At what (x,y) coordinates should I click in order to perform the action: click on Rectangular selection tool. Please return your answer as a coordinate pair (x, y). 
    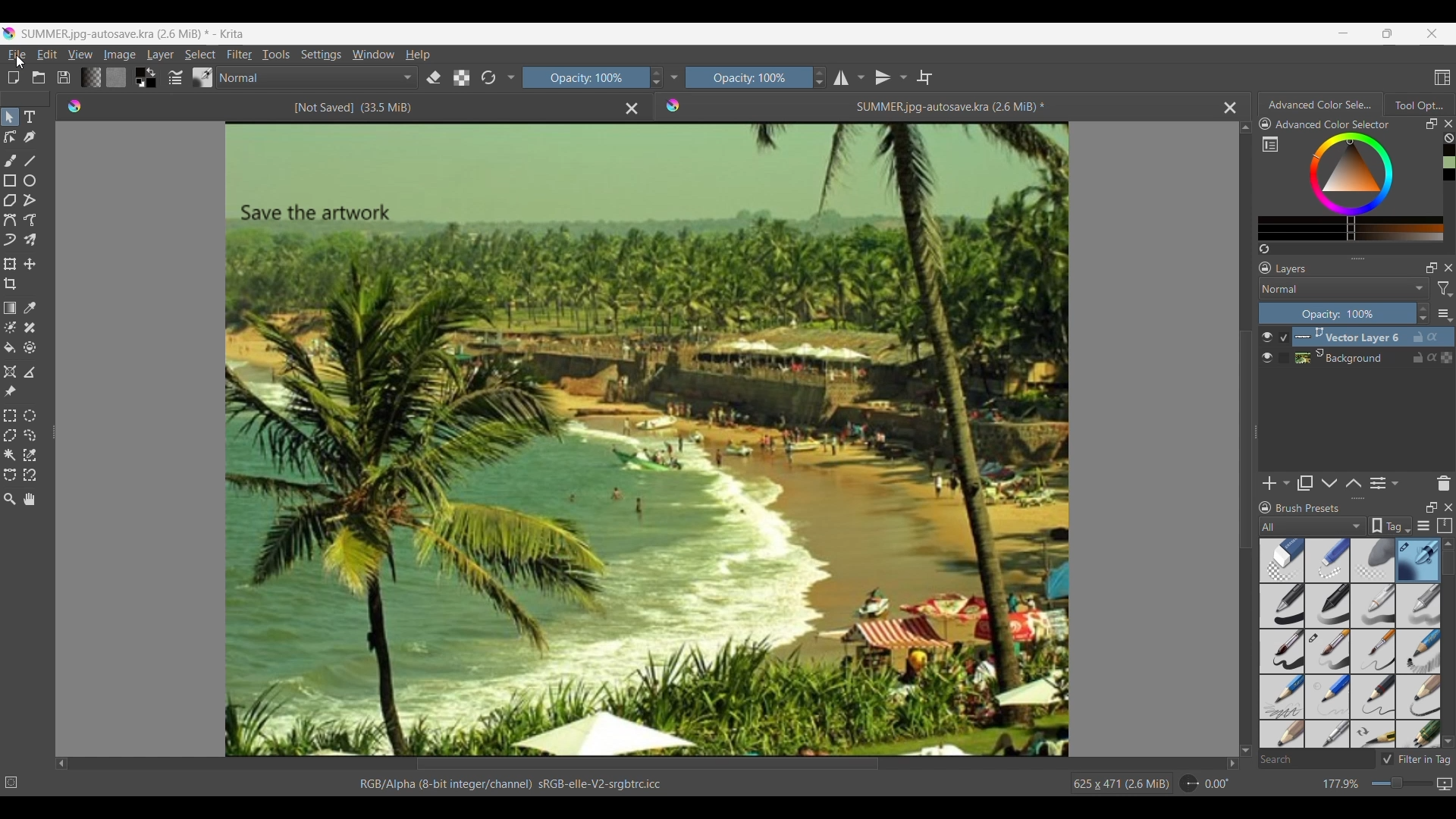
    Looking at the image, I should click on (9, 416).